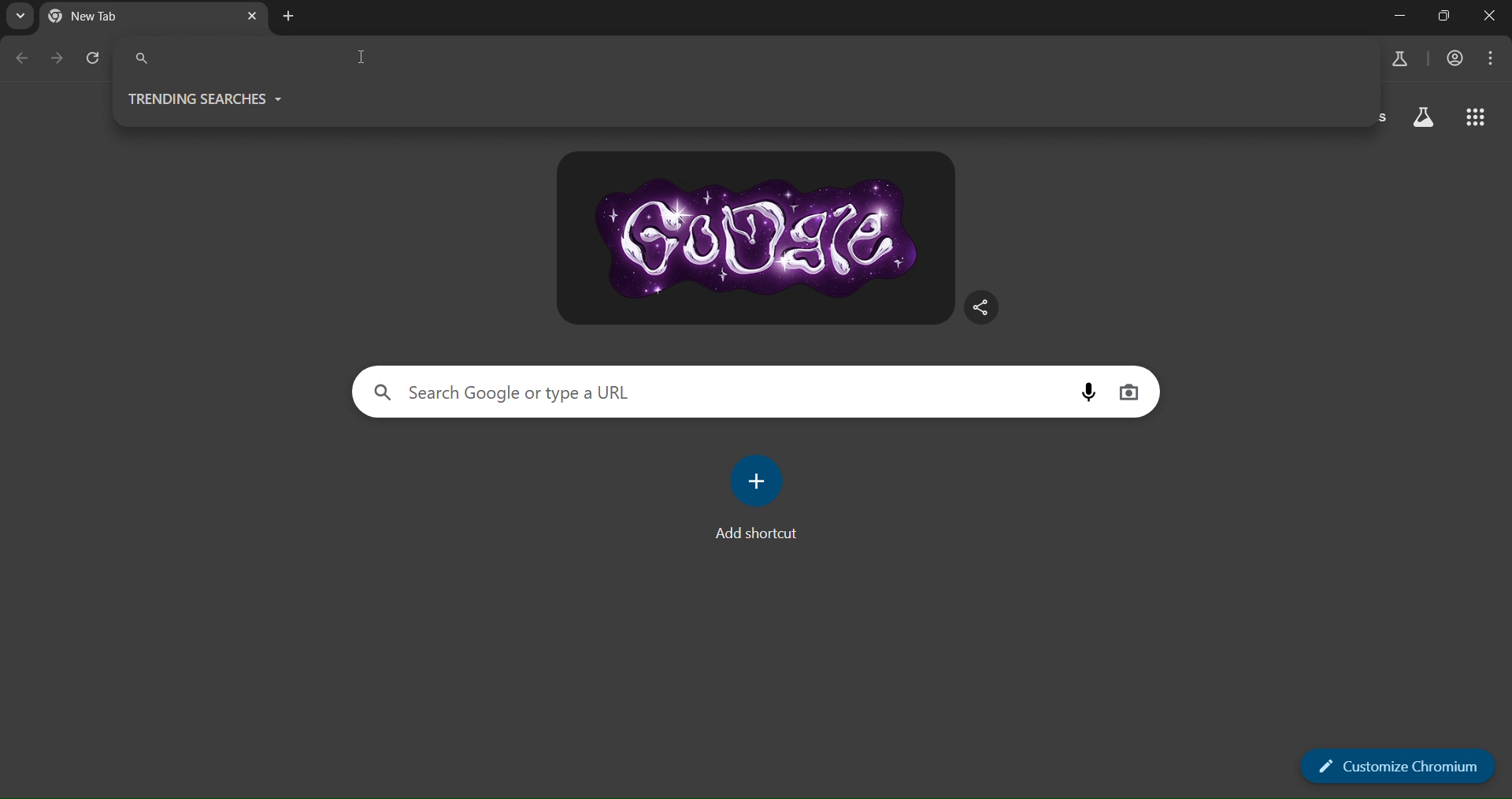 Image resolution: width=1512 pixels, height=799 pixels. What do you see at coordinates (1397, 59) in the screenshot?
I see `search labs` at bounding box center [1397, 59].